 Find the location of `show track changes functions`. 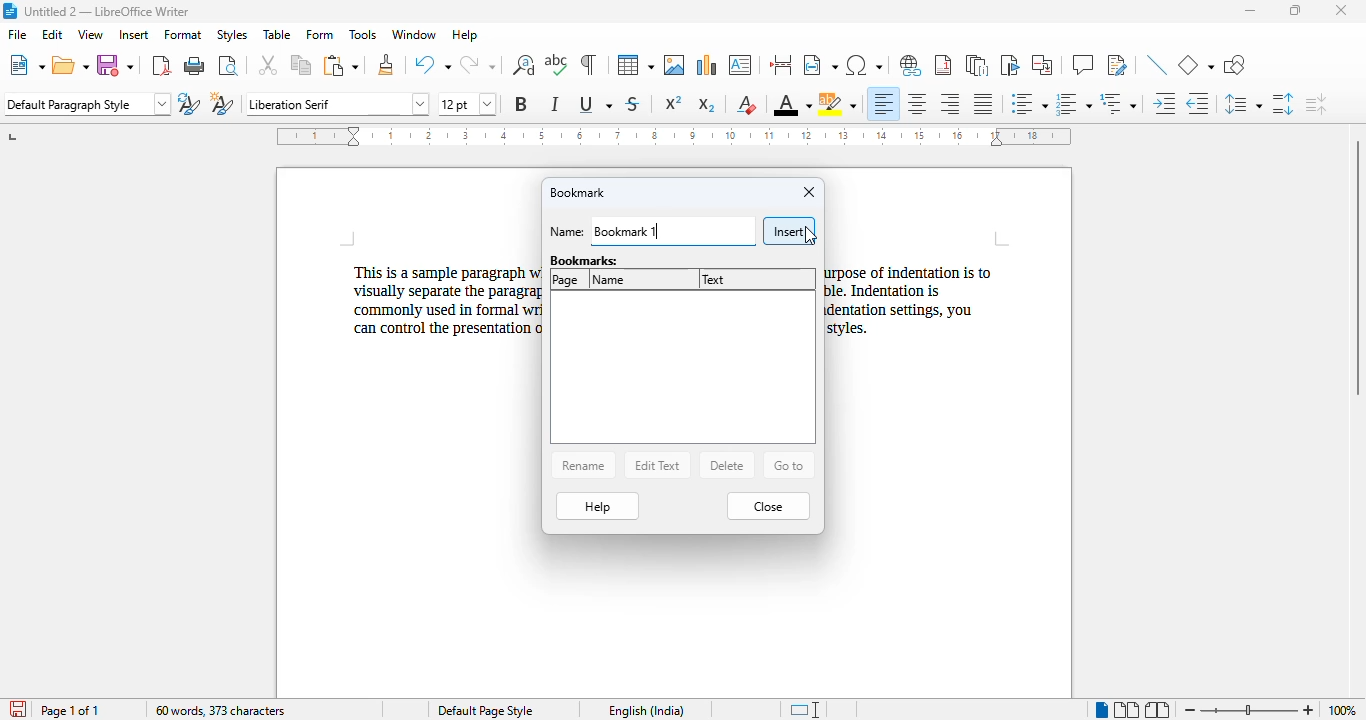

show track changes functions is located at coordinates (1117, 65).